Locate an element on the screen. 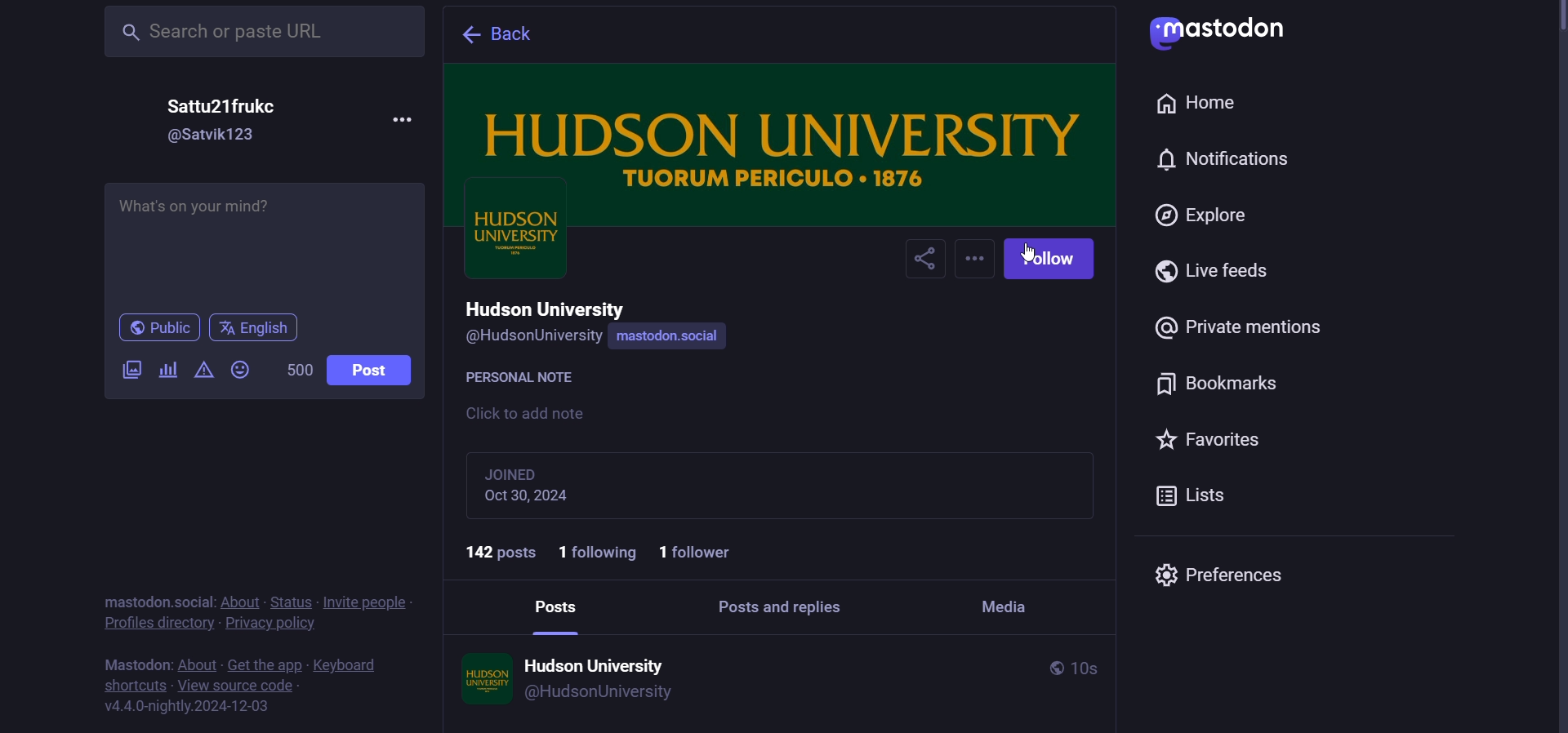 This screenshot has width=1568, height=733. home is located at coordinates (1197, 104).